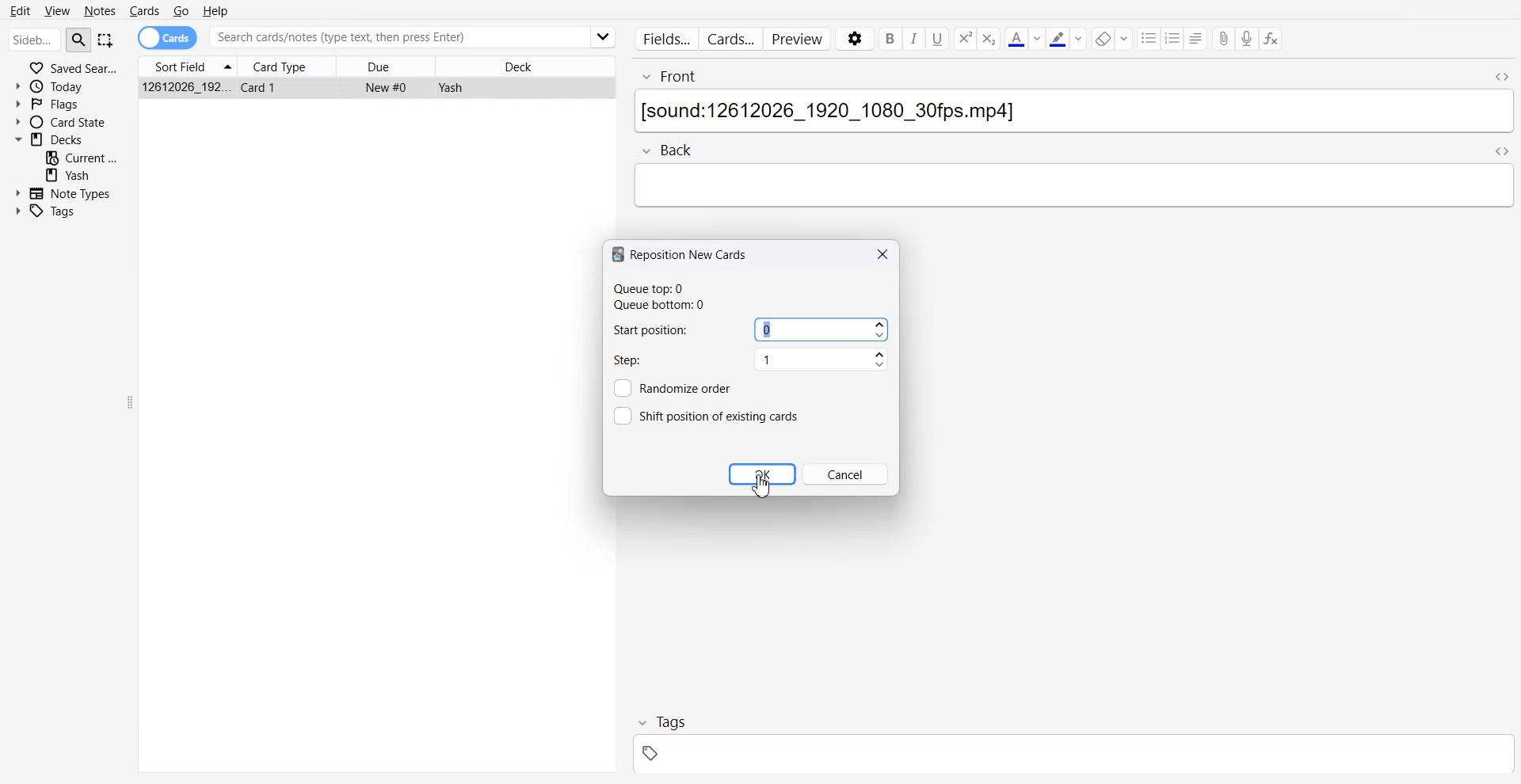 This screenshot has height=784, width=1521. Describe the element at coordinates (624, 387) in the screenshot. I see `` at that location.